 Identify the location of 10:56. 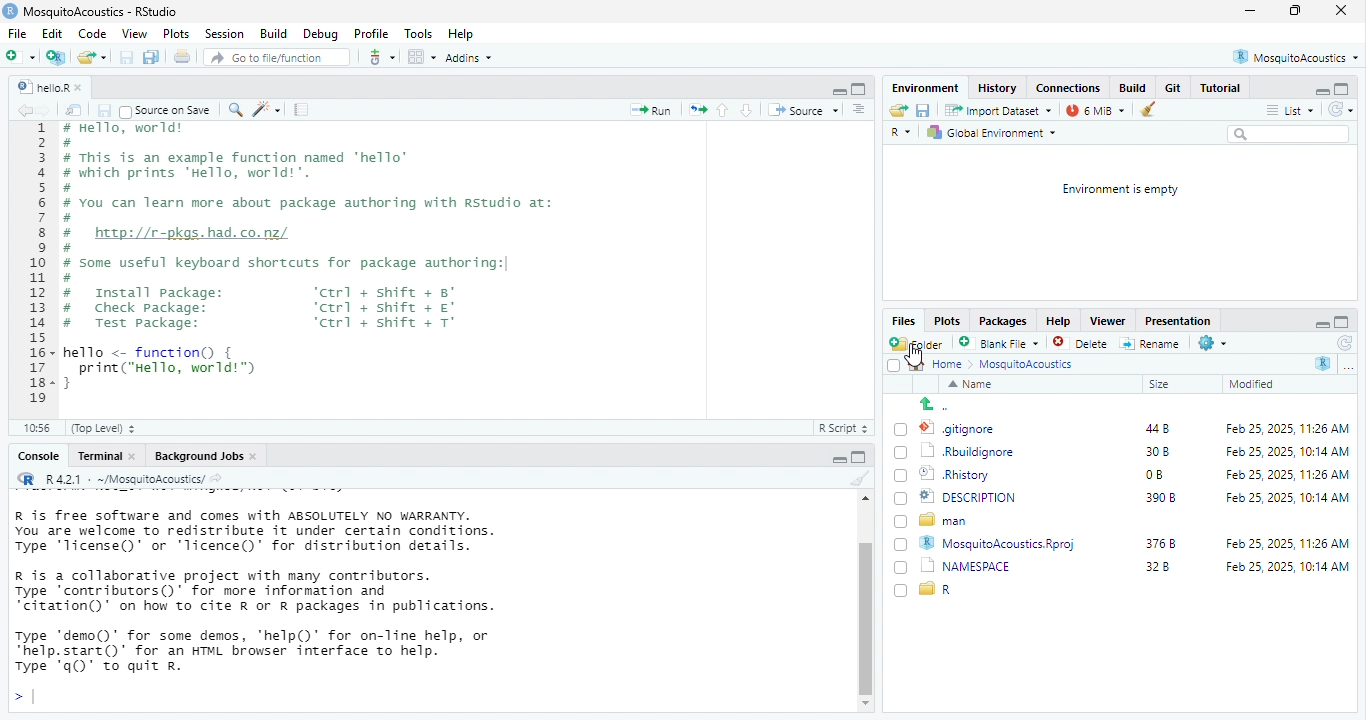
(41, 428).